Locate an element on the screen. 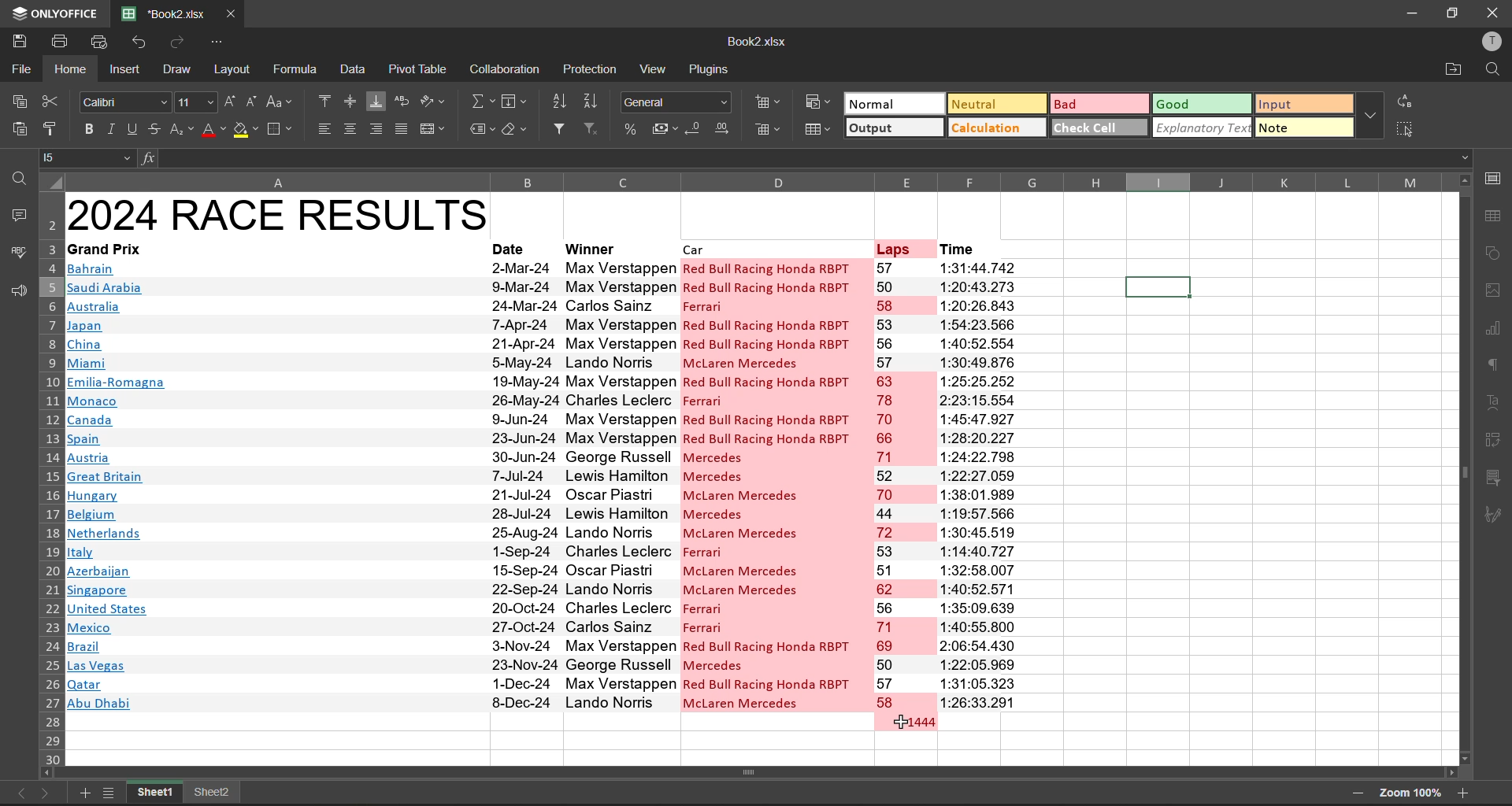 The width and height of the screenshot is (1512, 806). protection is located at coordinates (591, 70).